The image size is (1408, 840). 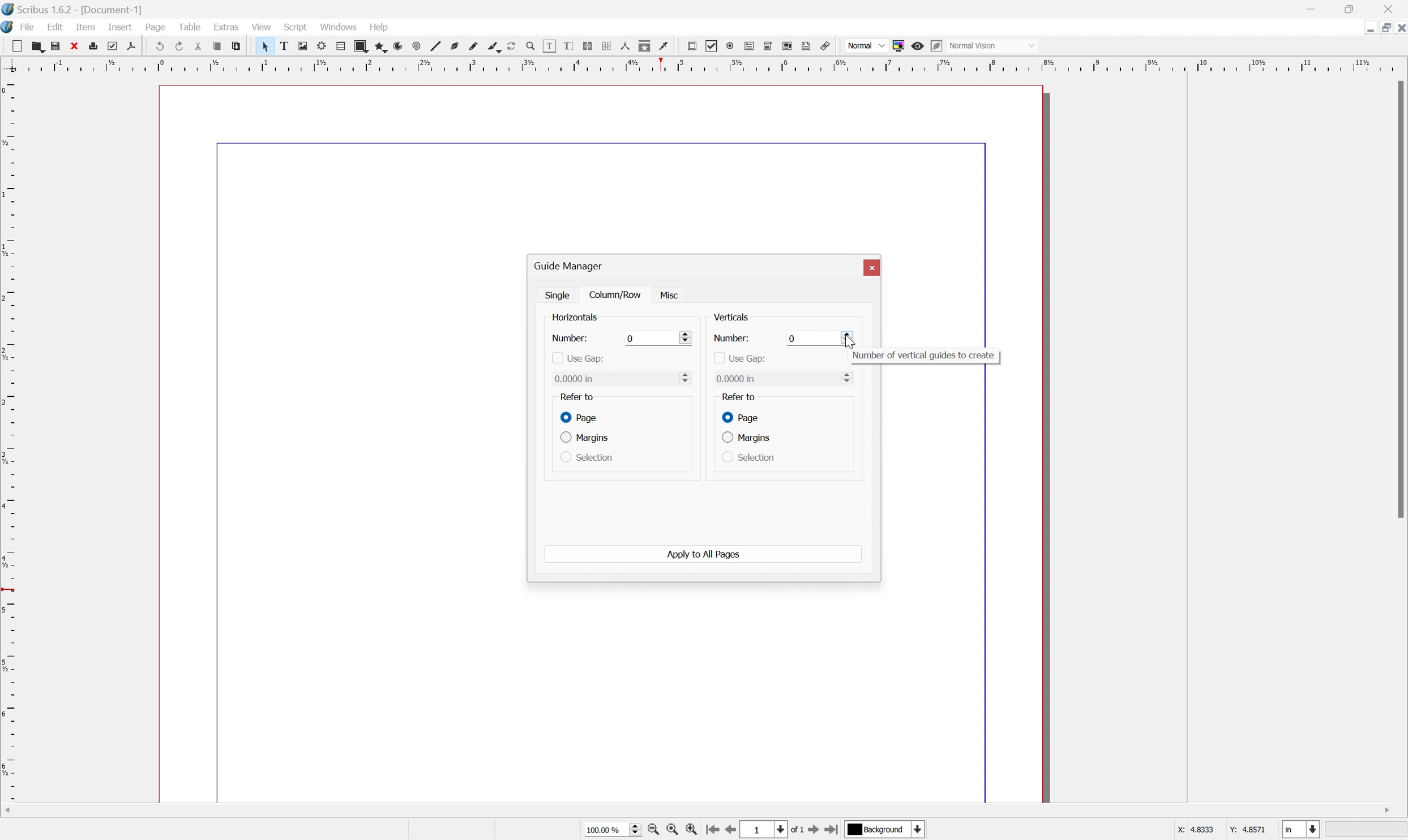 I want to click on verticals, so click(x=732, y=317).